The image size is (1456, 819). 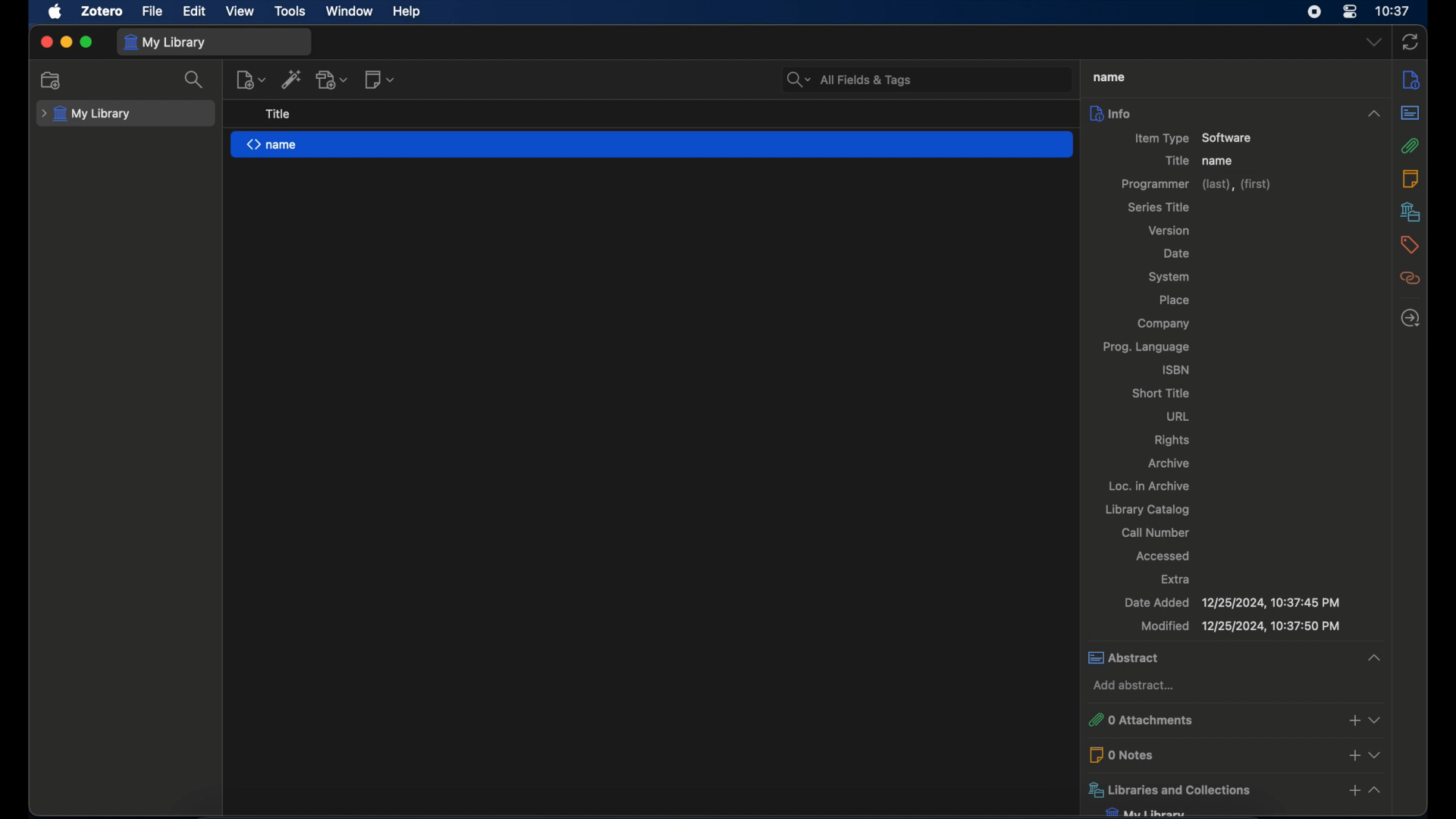 What do you see at coordinates (349, 11) in the screenshot?
I see `window` at bounding box center [349, 11].